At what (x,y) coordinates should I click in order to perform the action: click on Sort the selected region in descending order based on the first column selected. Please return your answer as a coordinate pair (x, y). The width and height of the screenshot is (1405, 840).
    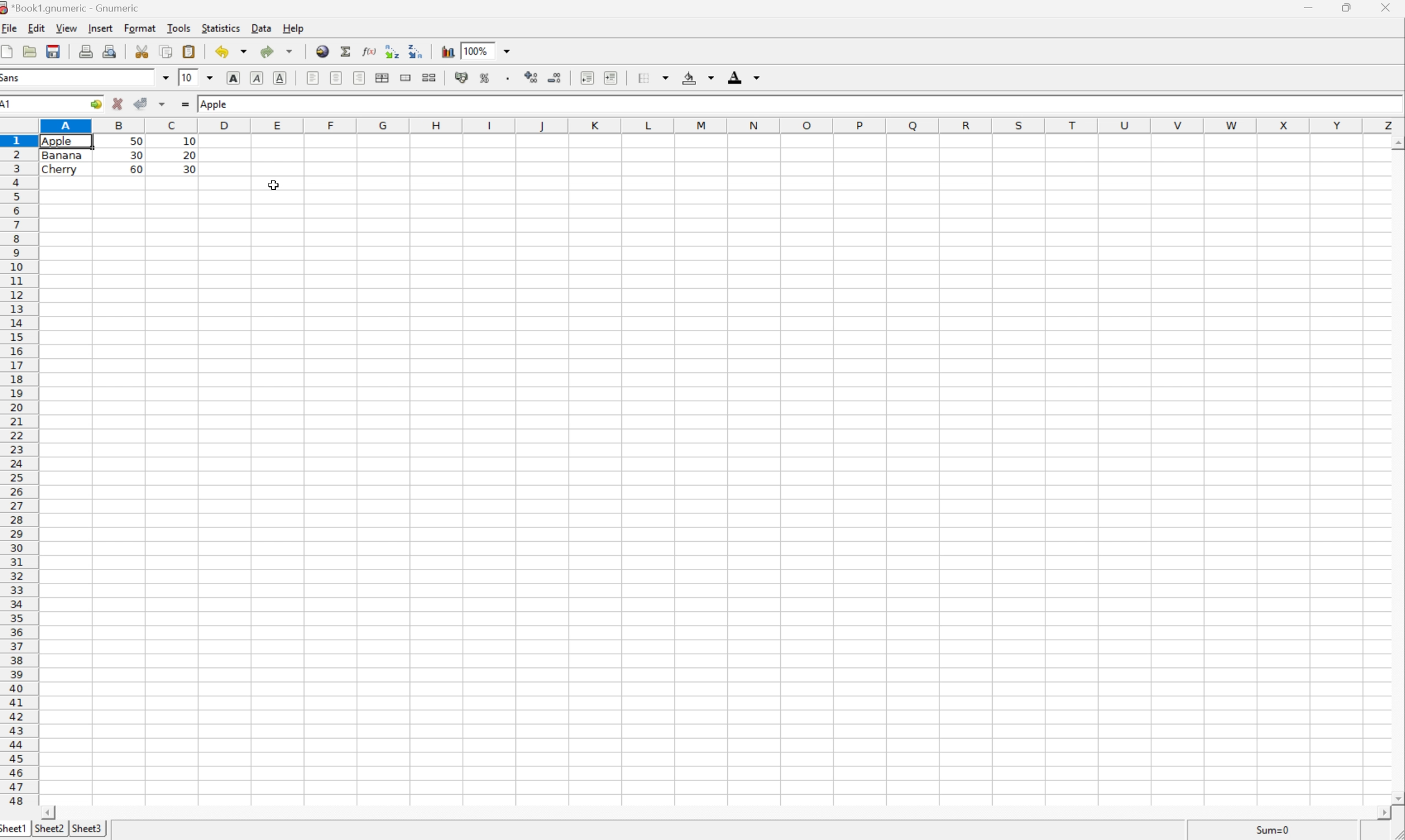
    Looking at the image, I should click on (416, 52).